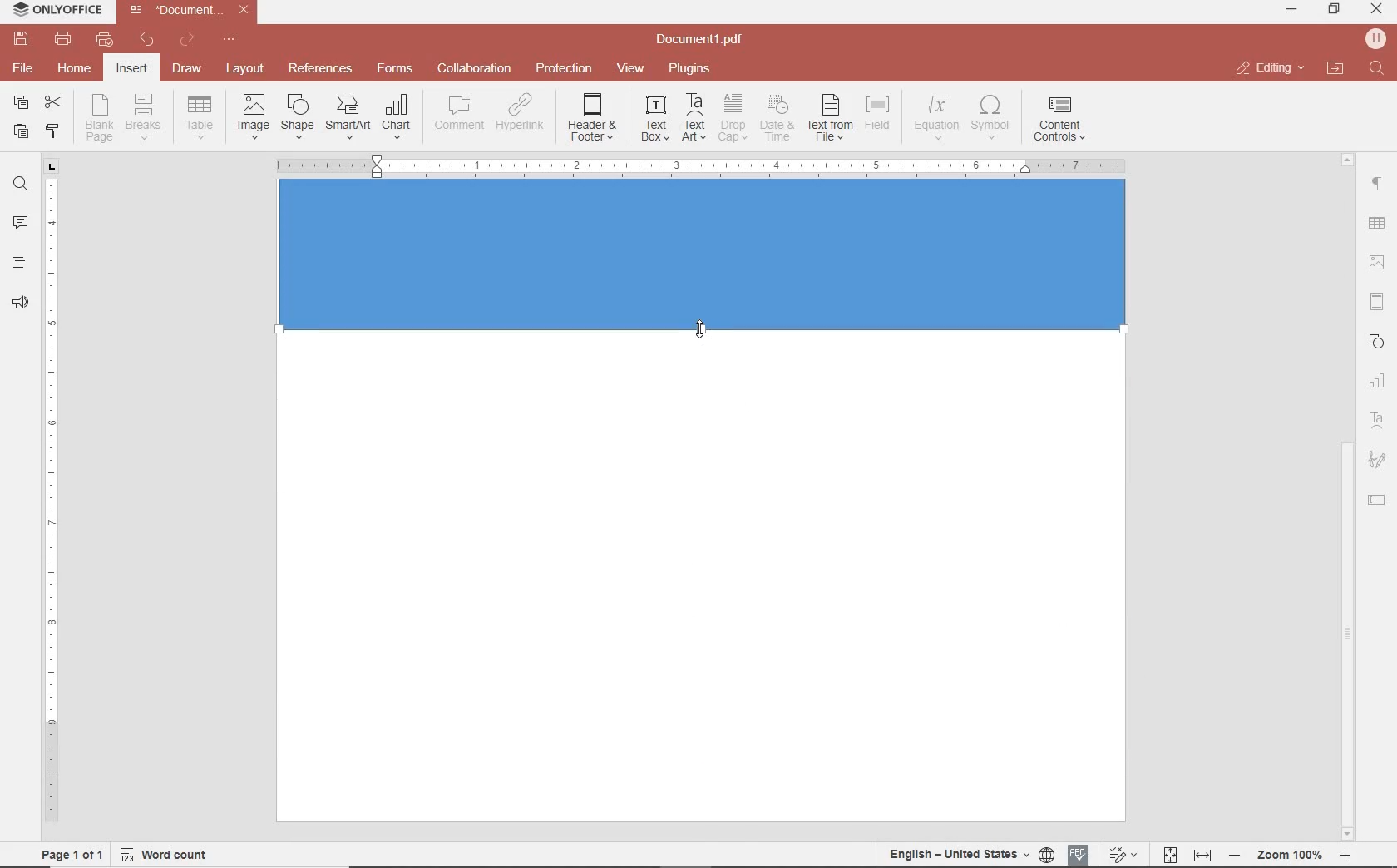 This screenshot has height=868, width=1397. Describe the element at coordinates (131, 70) in the screenshot. I see `insert` at that location.